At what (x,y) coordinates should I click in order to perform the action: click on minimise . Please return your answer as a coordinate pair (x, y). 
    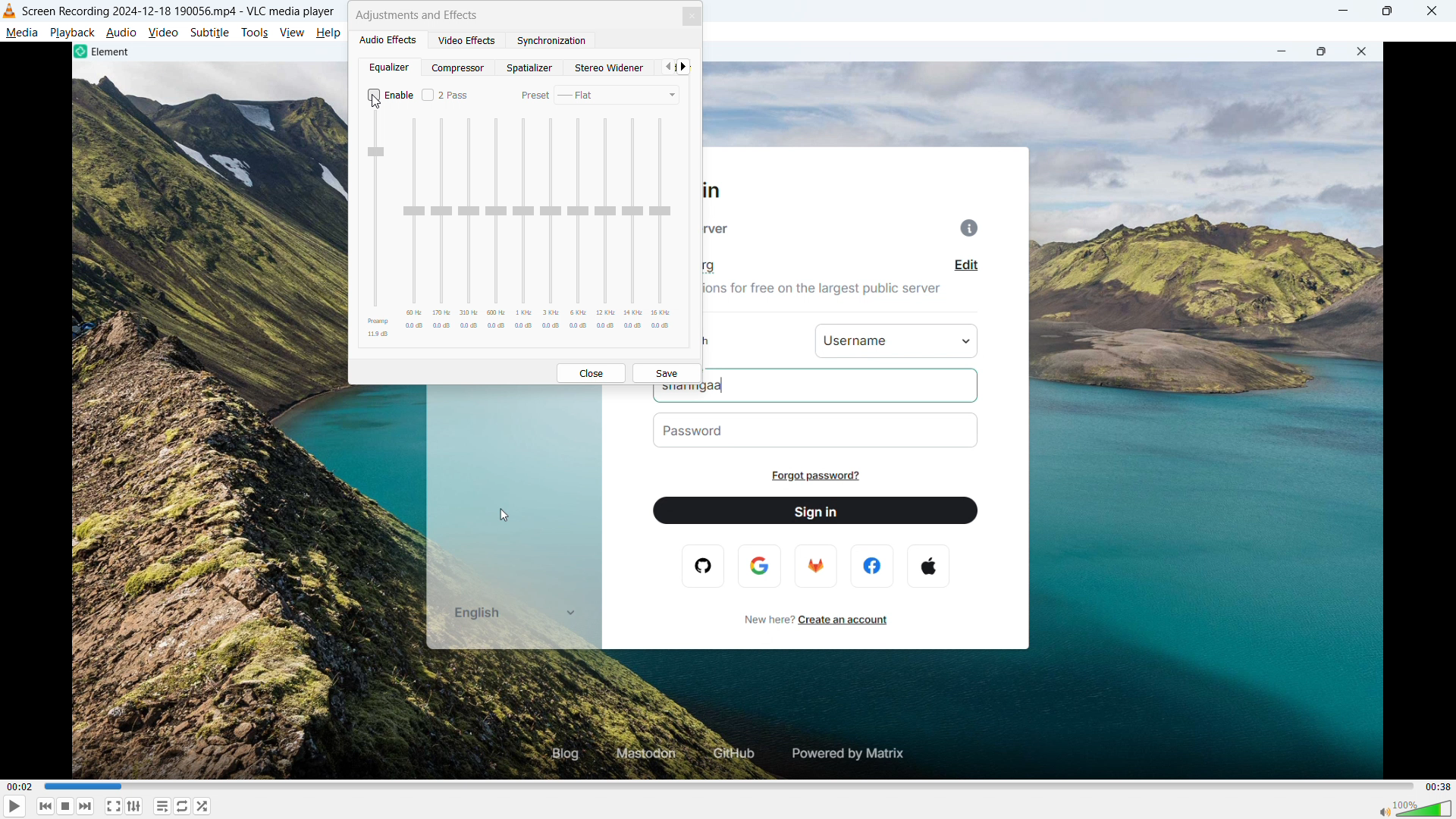
    Looking at the image, I should click on (1345, 12).